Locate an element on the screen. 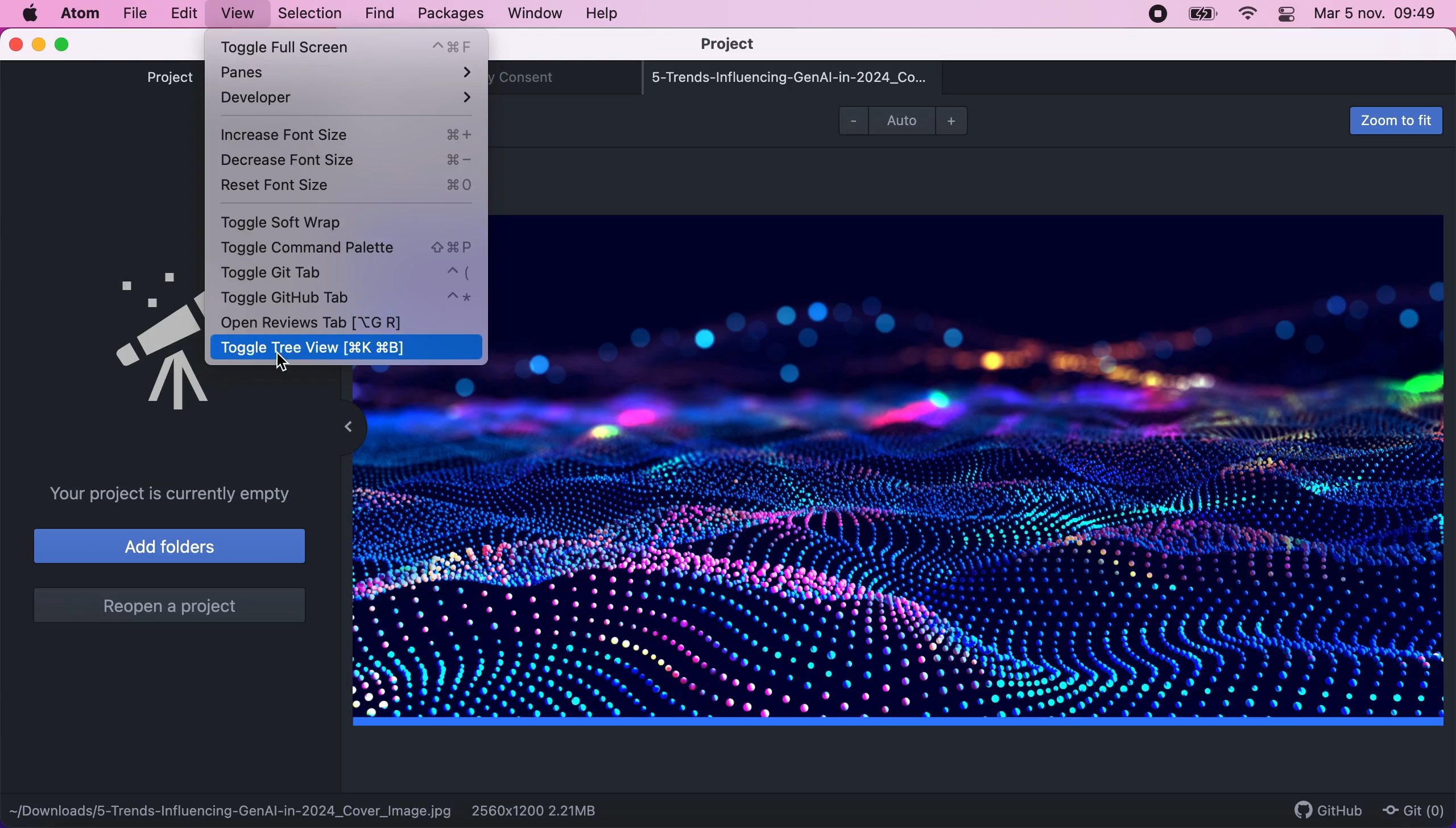 The height and width of the screenshot is (828, 1456). toggle full screen is located at coordinates (348, 45).